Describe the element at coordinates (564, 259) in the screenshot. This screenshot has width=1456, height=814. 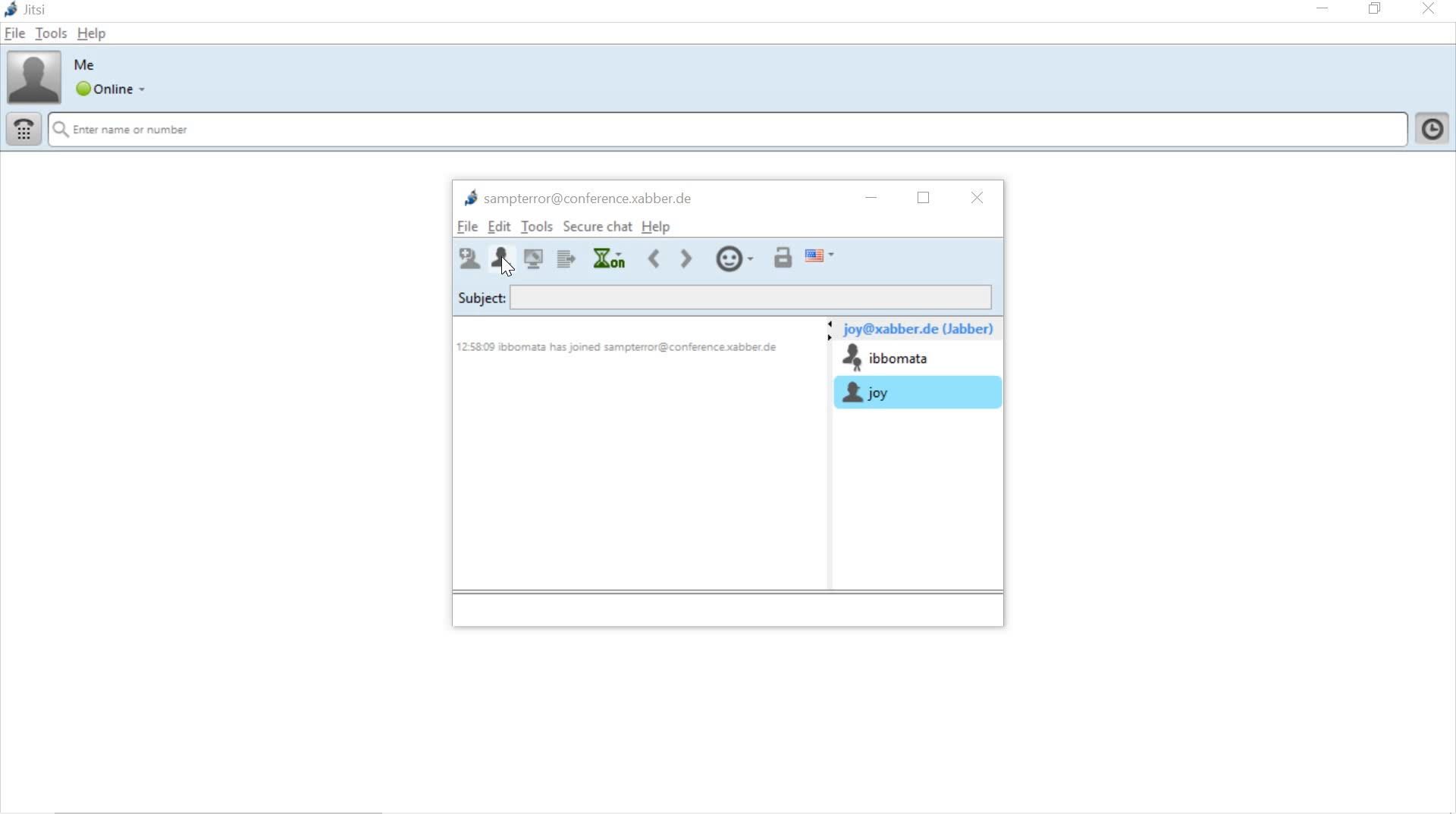
I see `send file` at that location.